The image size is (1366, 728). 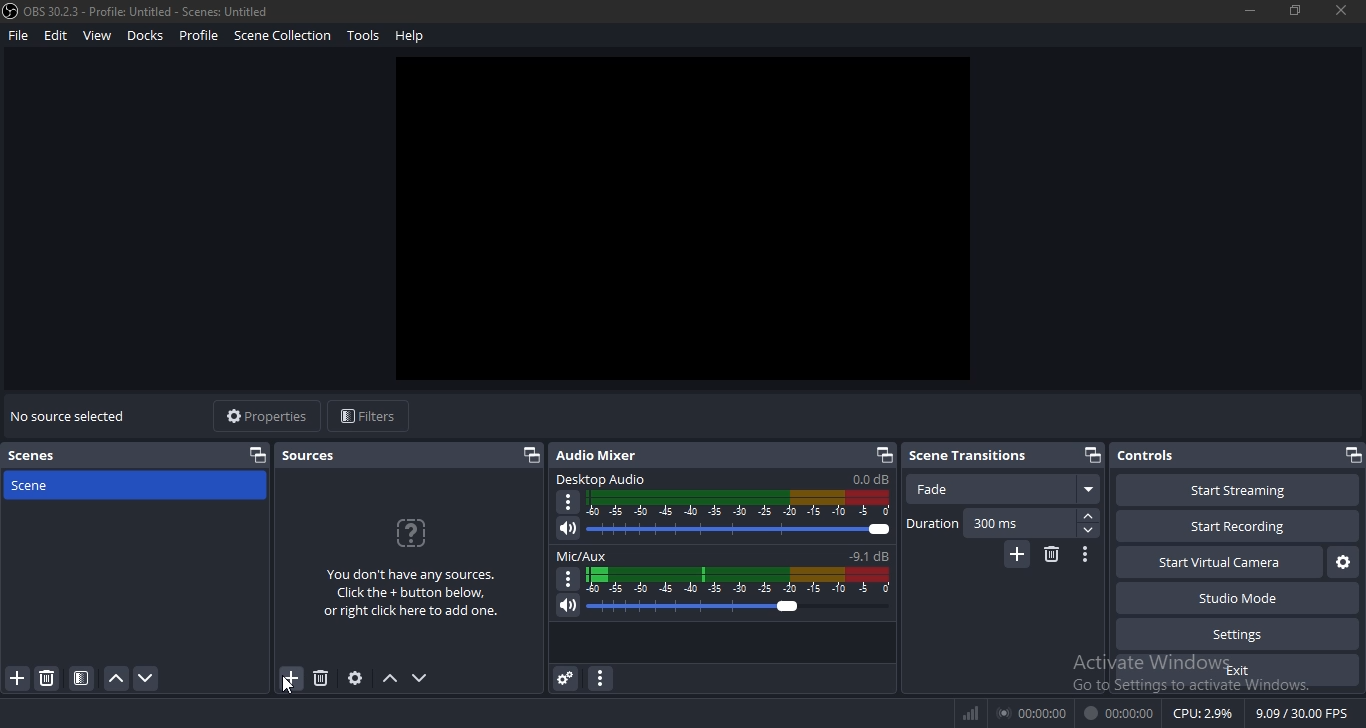 I want to click on remove scene, so click(x=48, y=679).